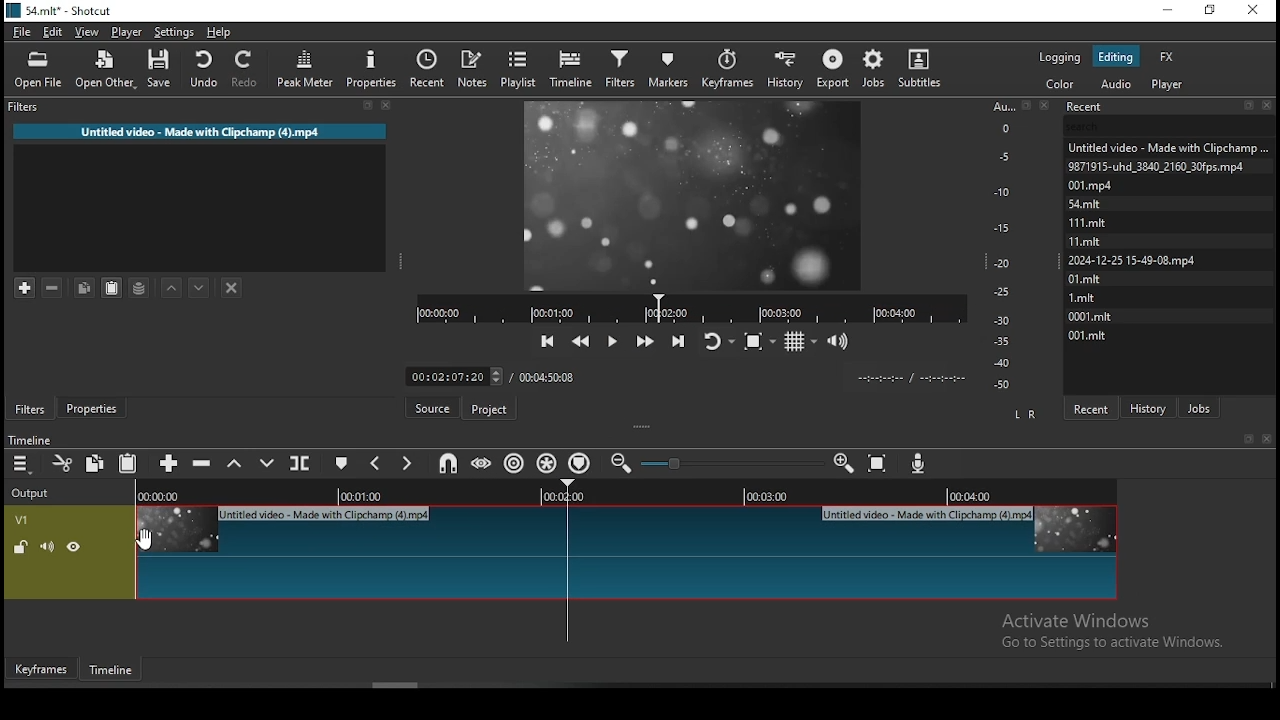  I want to click on (un)mute, so click(47, 547).